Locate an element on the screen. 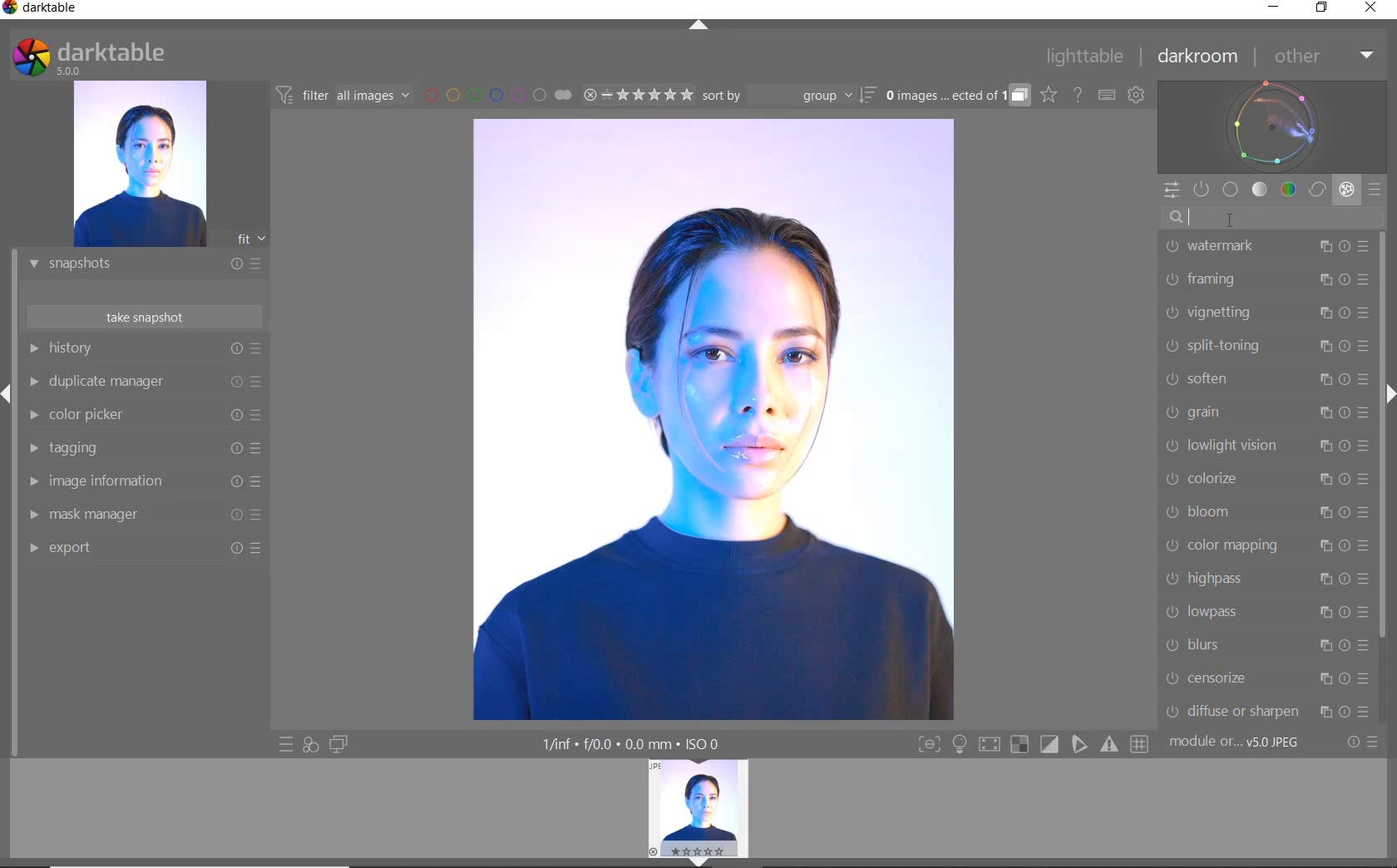  Button is located at coordinates (960, 746).